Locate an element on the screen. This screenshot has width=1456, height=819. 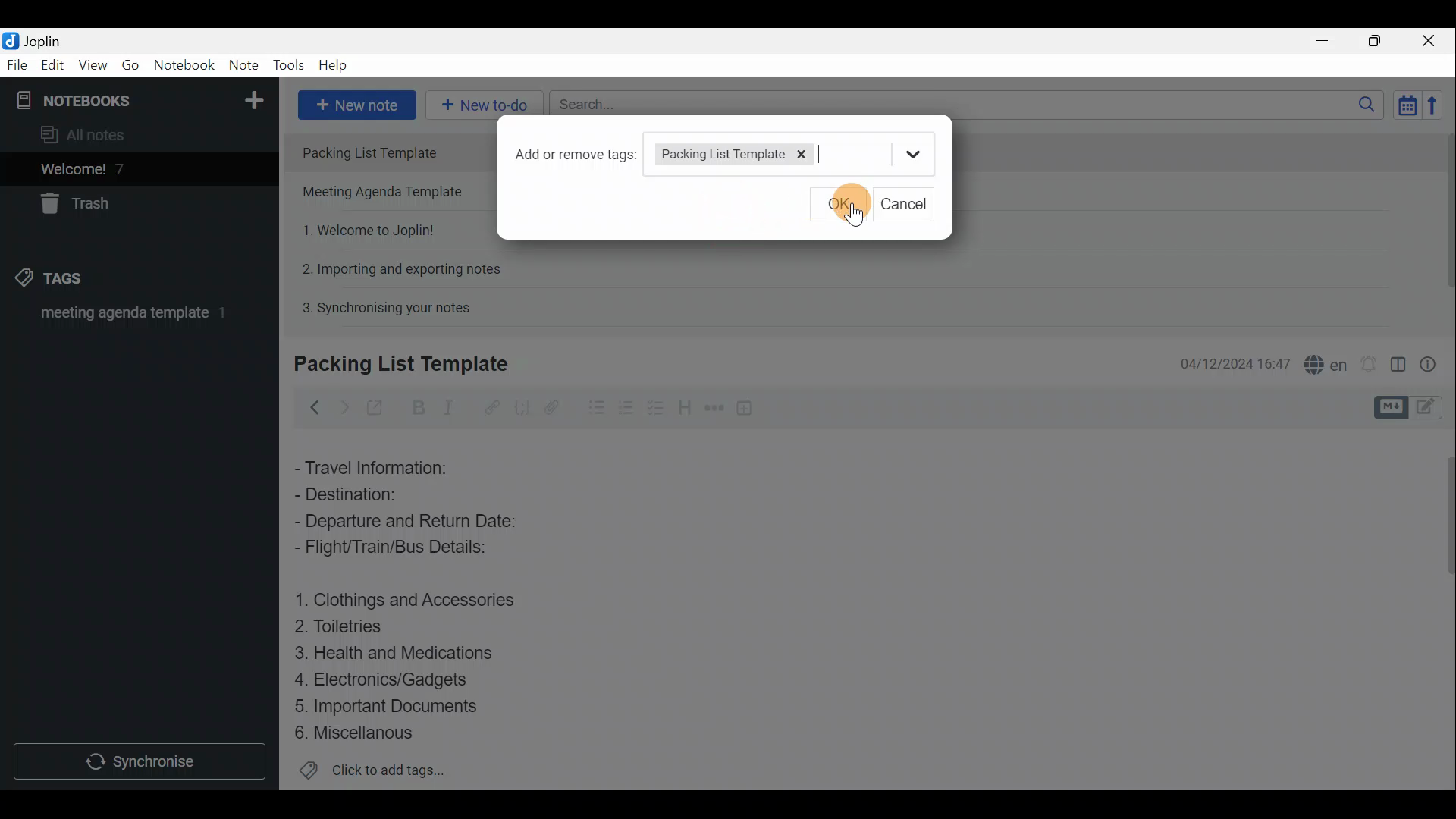
Note 5 is located at coordinates (380, 306).